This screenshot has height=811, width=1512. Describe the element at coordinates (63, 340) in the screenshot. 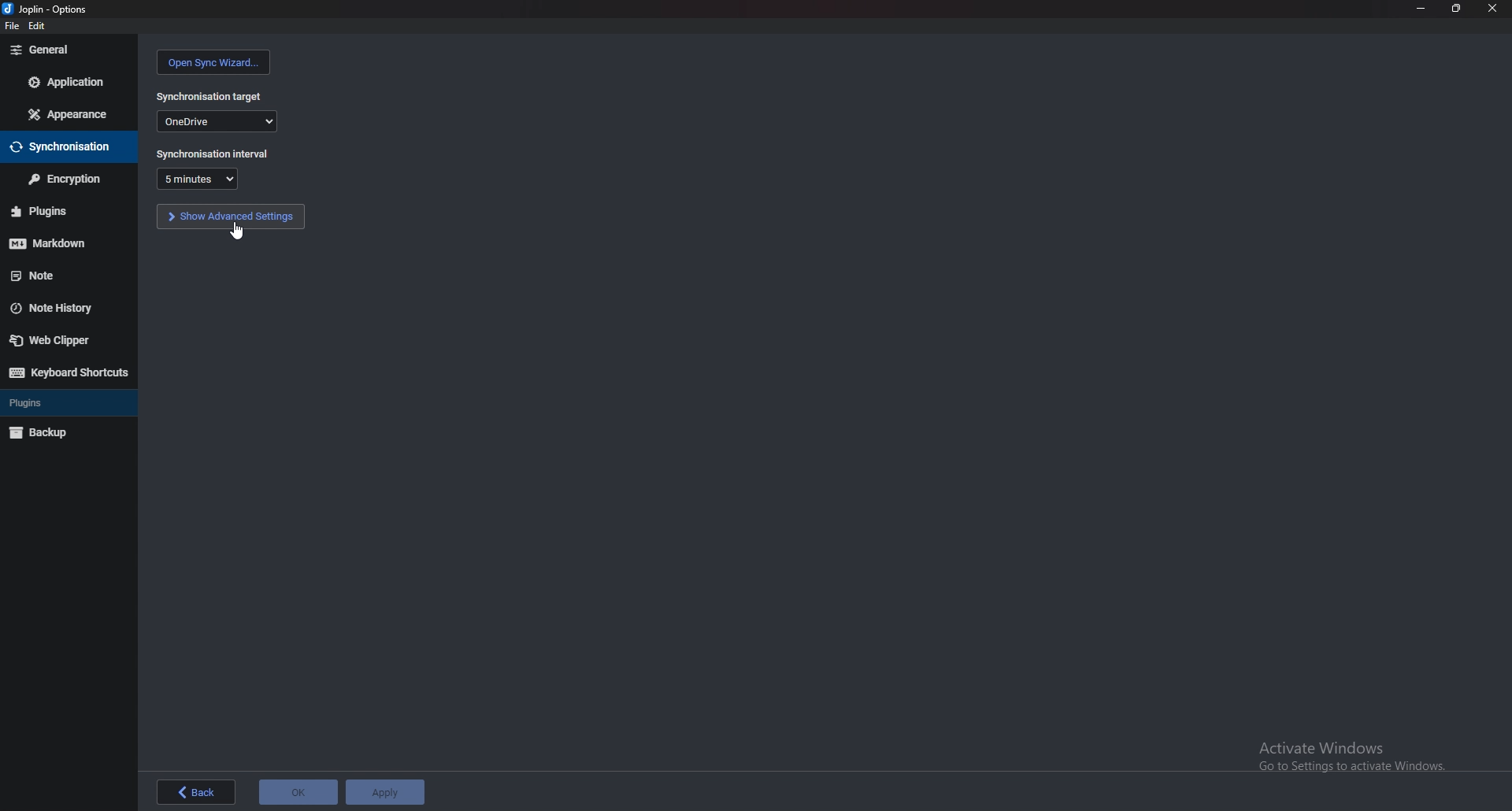

I see `web clipper` at that location.